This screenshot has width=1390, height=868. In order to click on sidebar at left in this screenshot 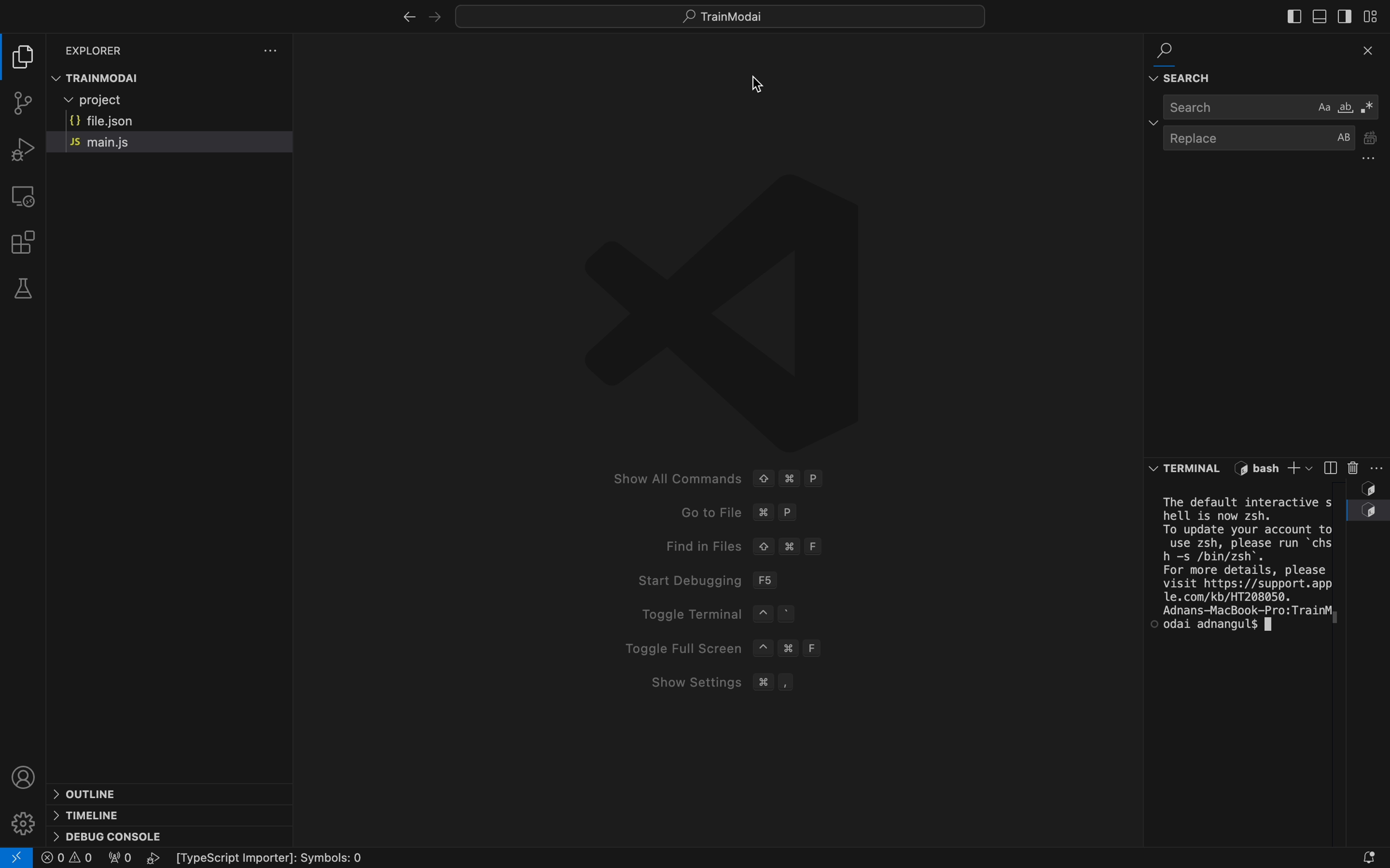, I will do `click(1292, 17)`.